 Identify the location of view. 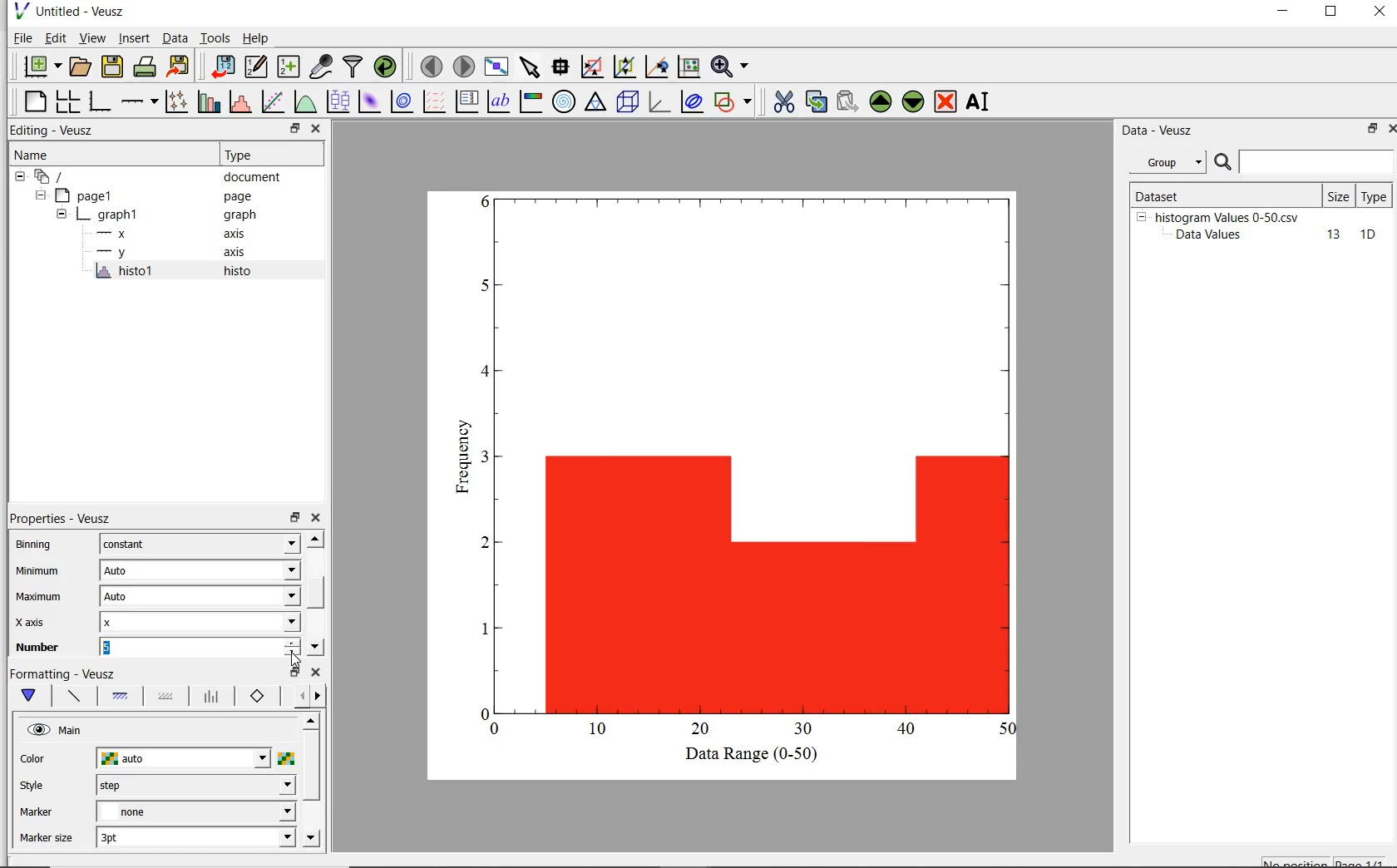
(95, 37).